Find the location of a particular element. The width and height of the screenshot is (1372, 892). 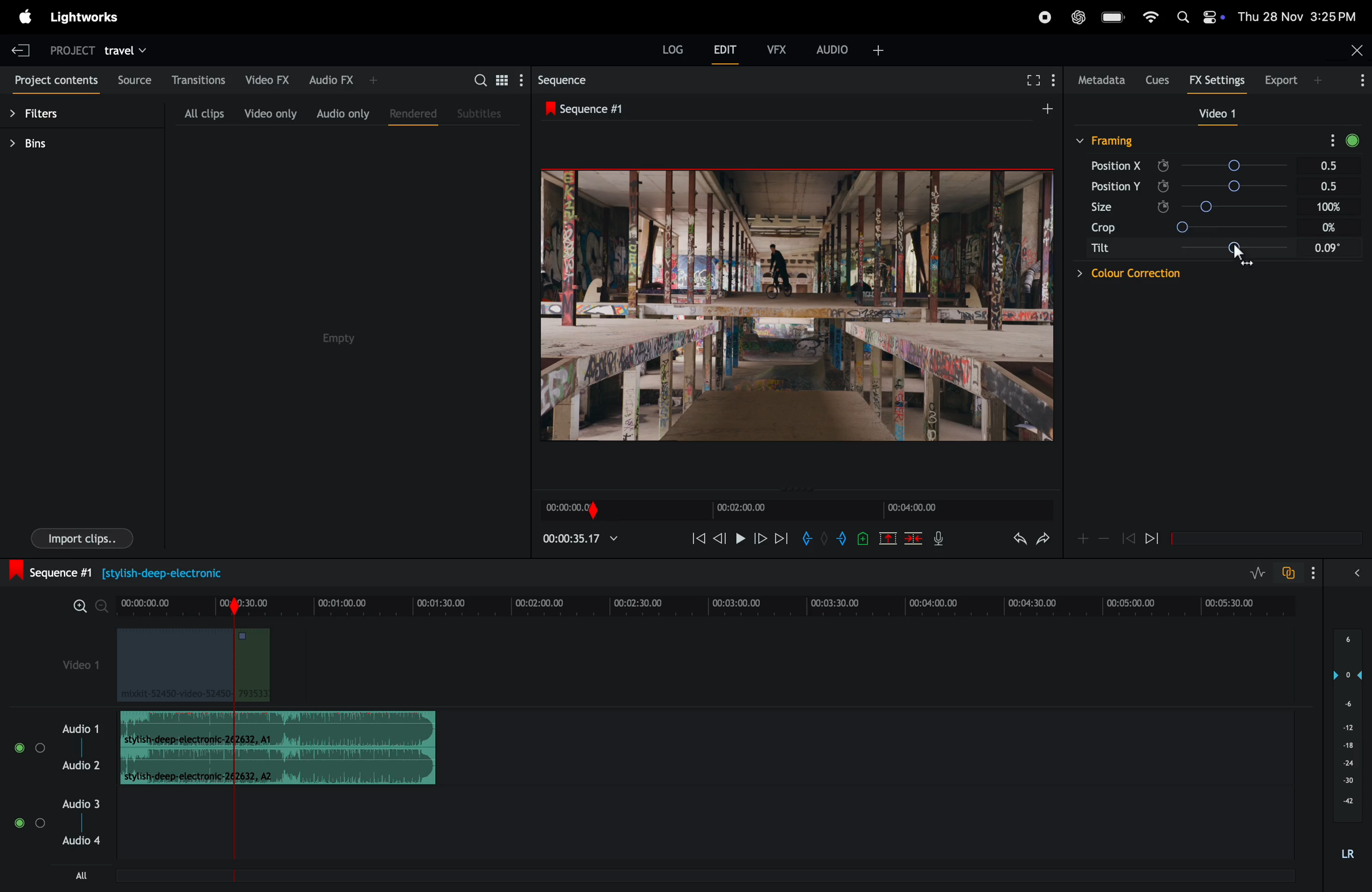

sequences is located at coordinates (569, 80).